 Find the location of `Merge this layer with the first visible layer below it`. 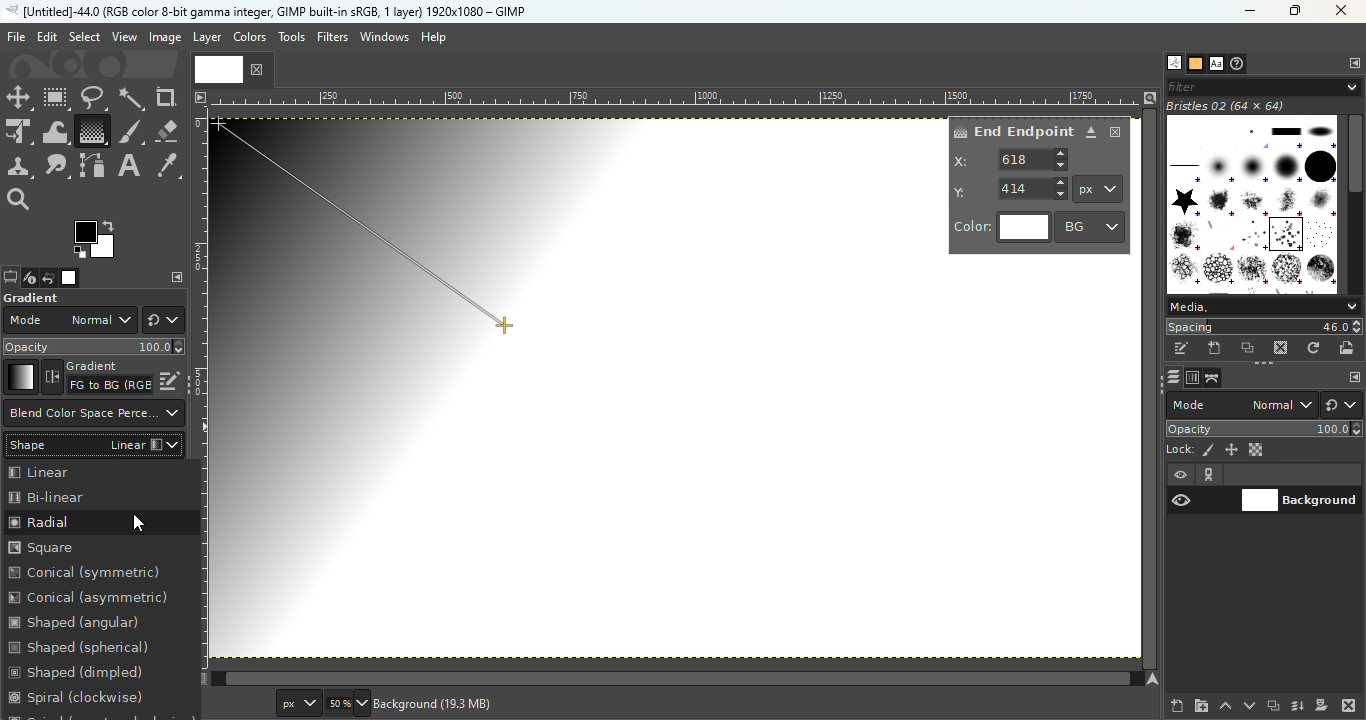

Merge this layer with the first visible layer below it is located at coordinates (1298, 706).